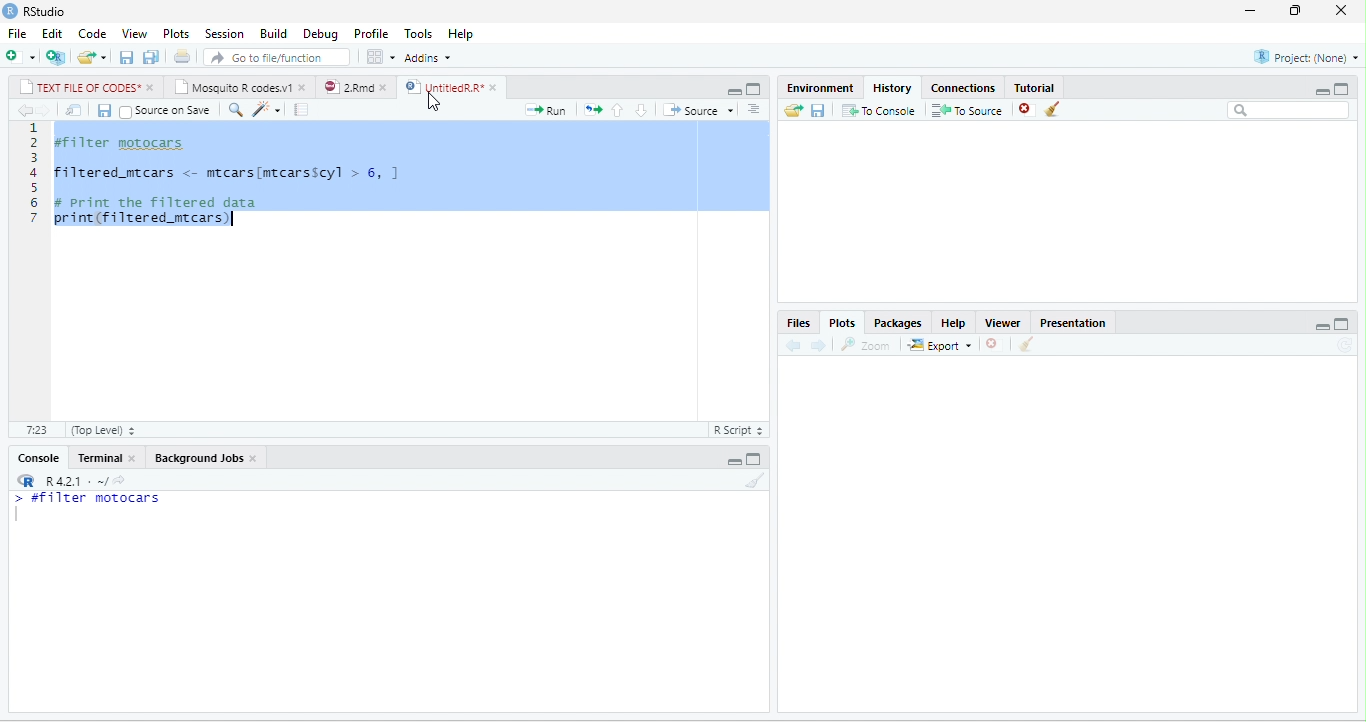 This screenshot has height=722, width=1366. What do you see at coordinates (794, 345) in the screenshot?
I see `back` at bounding box center [794, 345].